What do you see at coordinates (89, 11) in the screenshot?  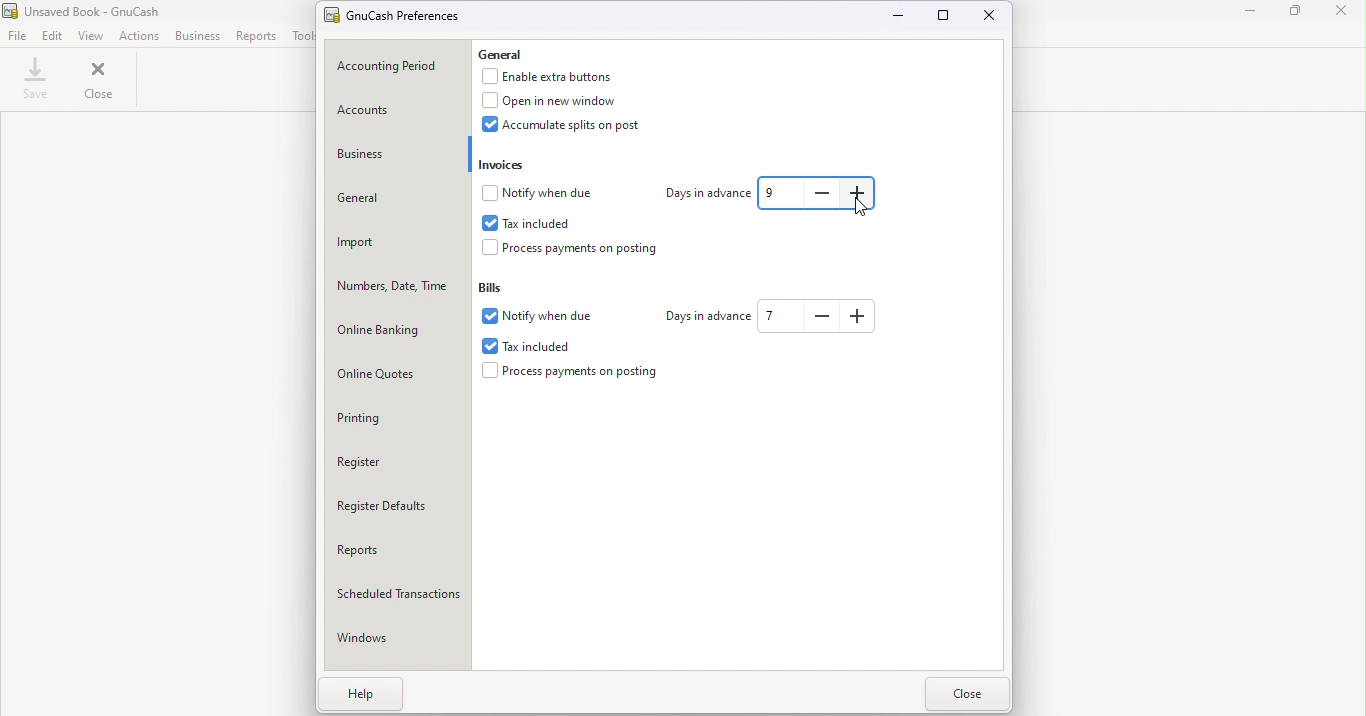 I see `File name` at bounding box center [89, 11].